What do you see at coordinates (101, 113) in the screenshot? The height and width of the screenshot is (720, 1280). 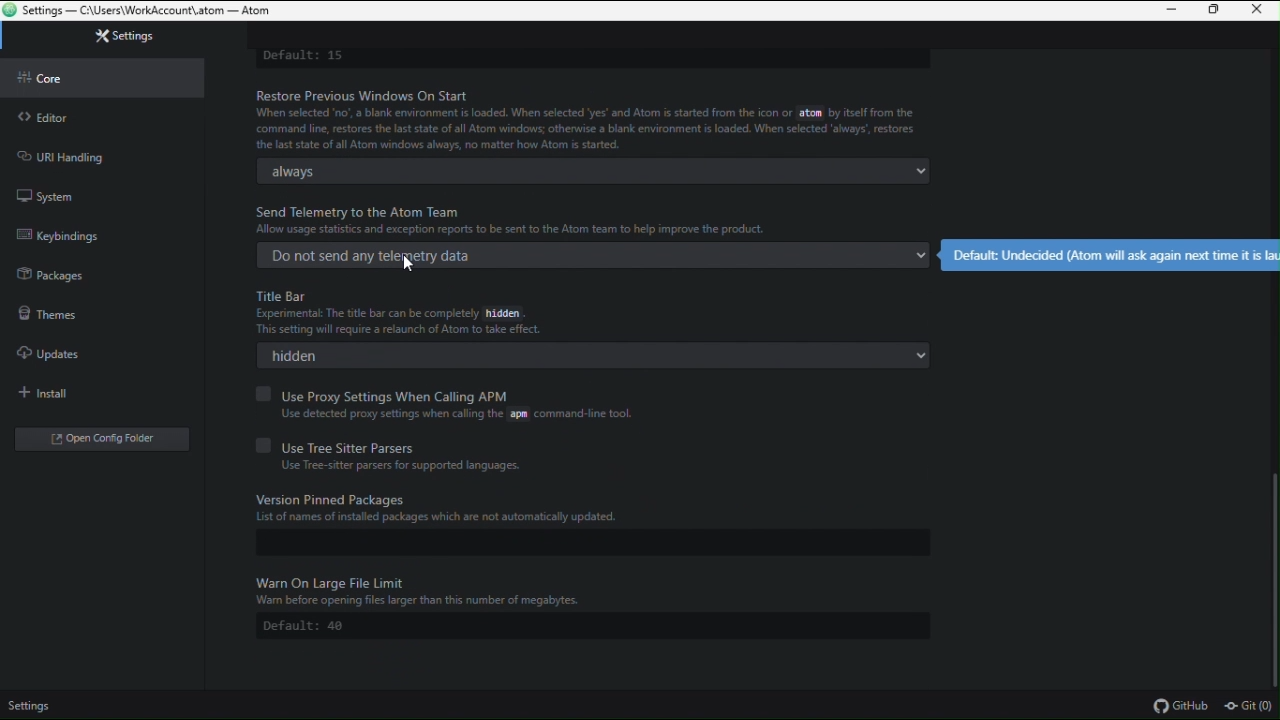 I see `editor` at bounding box center [101, 113].